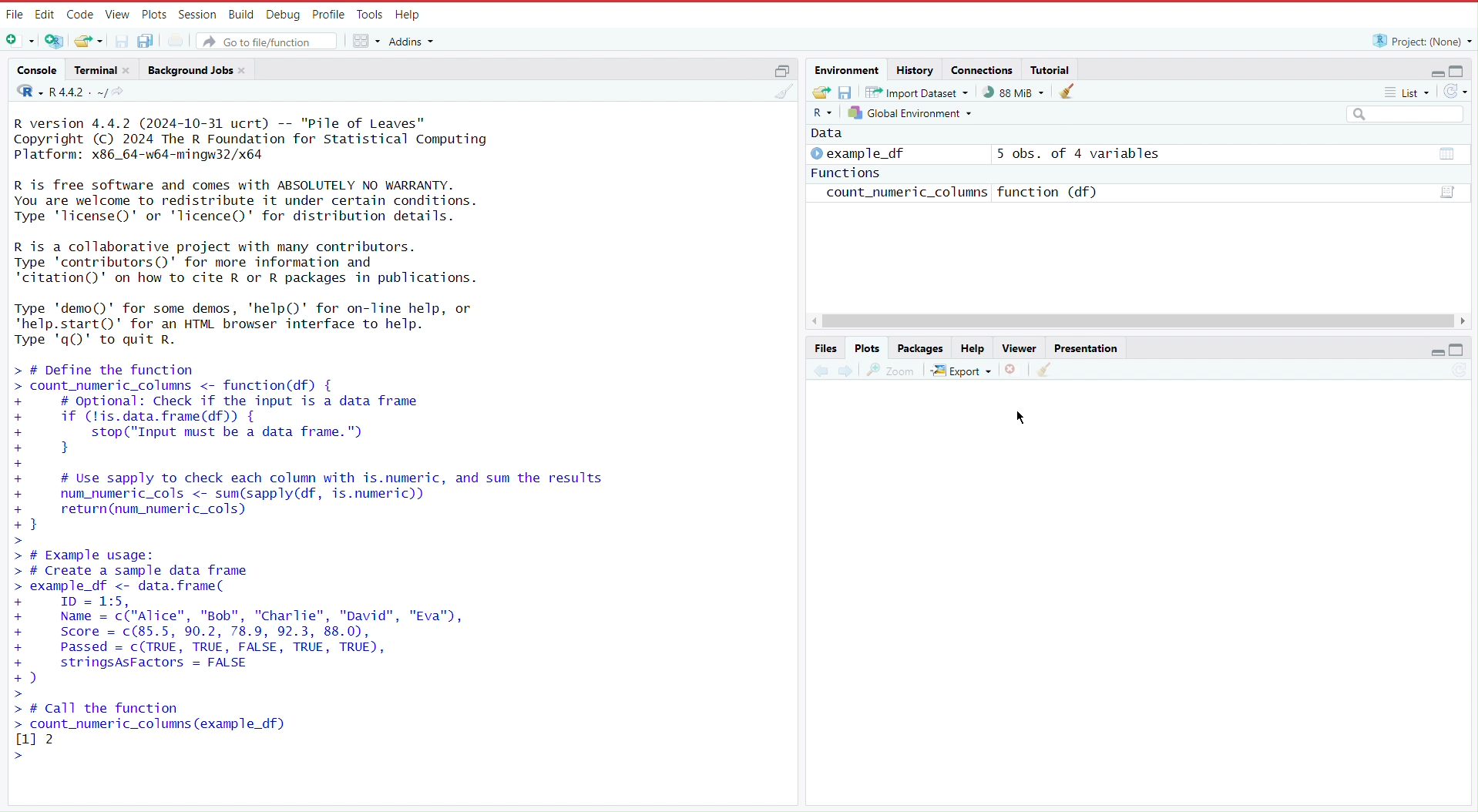 The width and height of the screenshot is (1478, 812). Describe the element at coordinates (1026, 415) in the screenshot. I see `Cursor` at that location.